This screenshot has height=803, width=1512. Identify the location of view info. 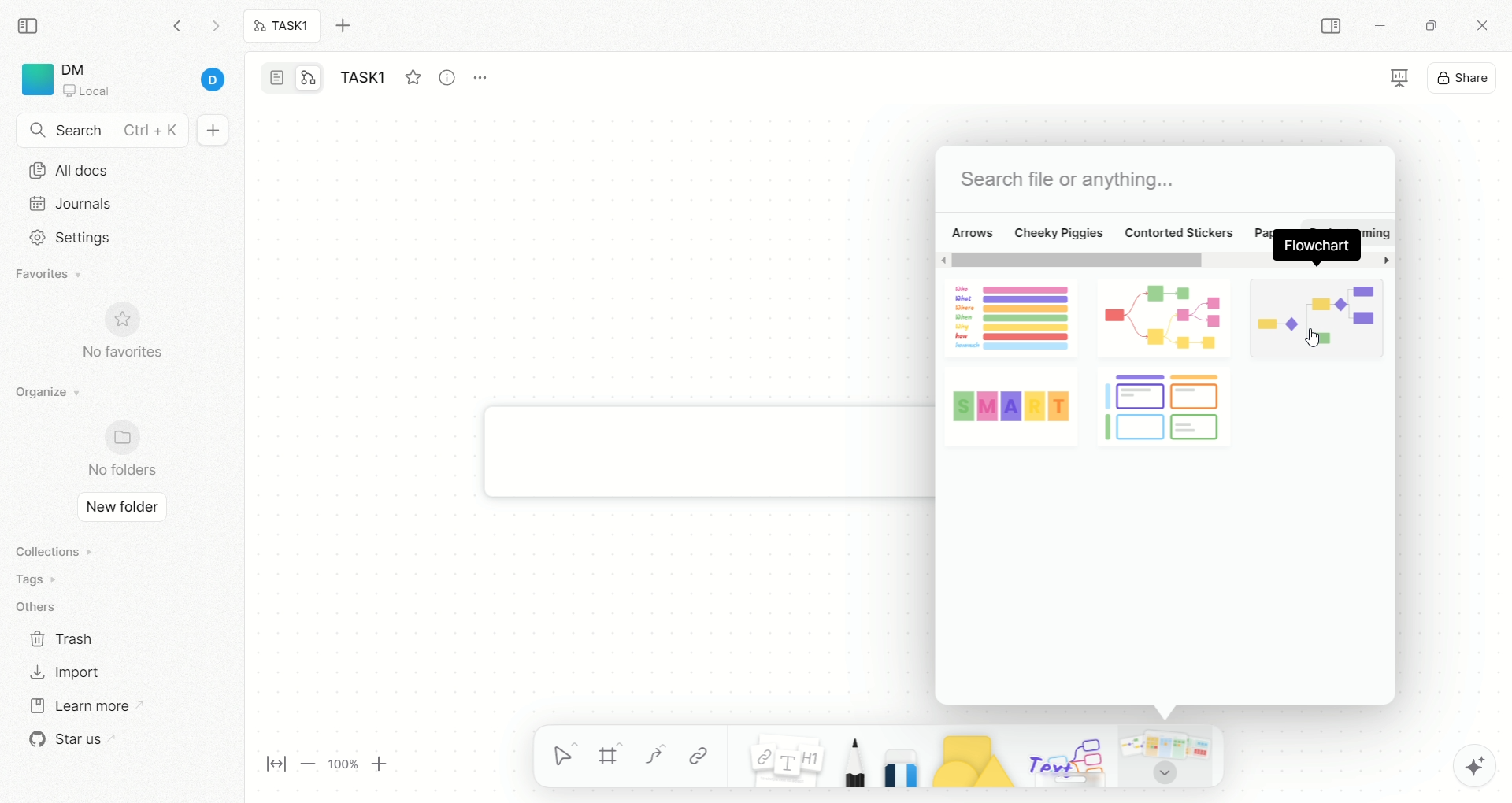
(450, 78).